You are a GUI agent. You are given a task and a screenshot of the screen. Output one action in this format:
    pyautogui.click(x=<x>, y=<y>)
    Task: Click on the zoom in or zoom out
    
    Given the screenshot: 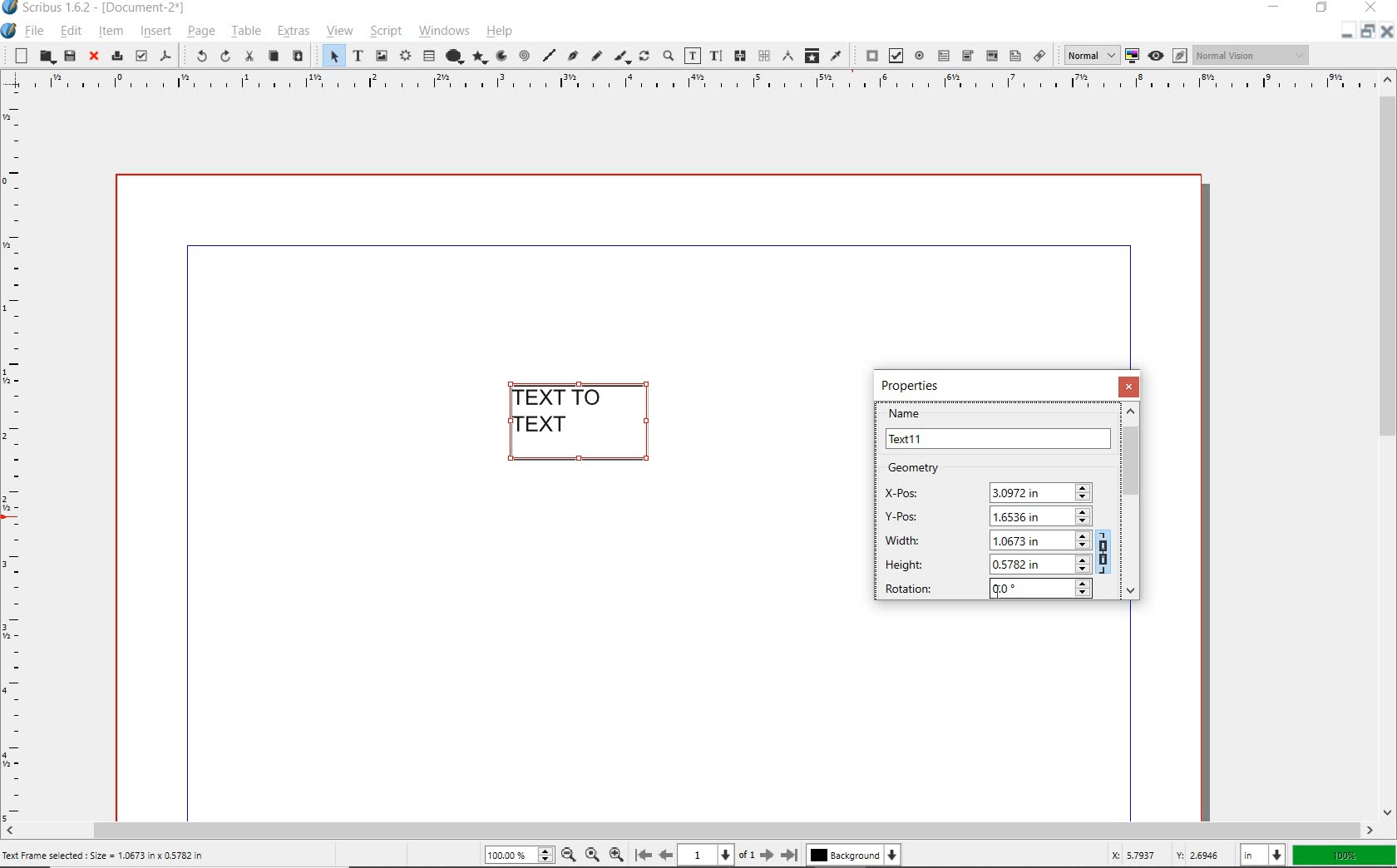 What is the action you would take?
    pyautogui.click(x=668, y=57)
    